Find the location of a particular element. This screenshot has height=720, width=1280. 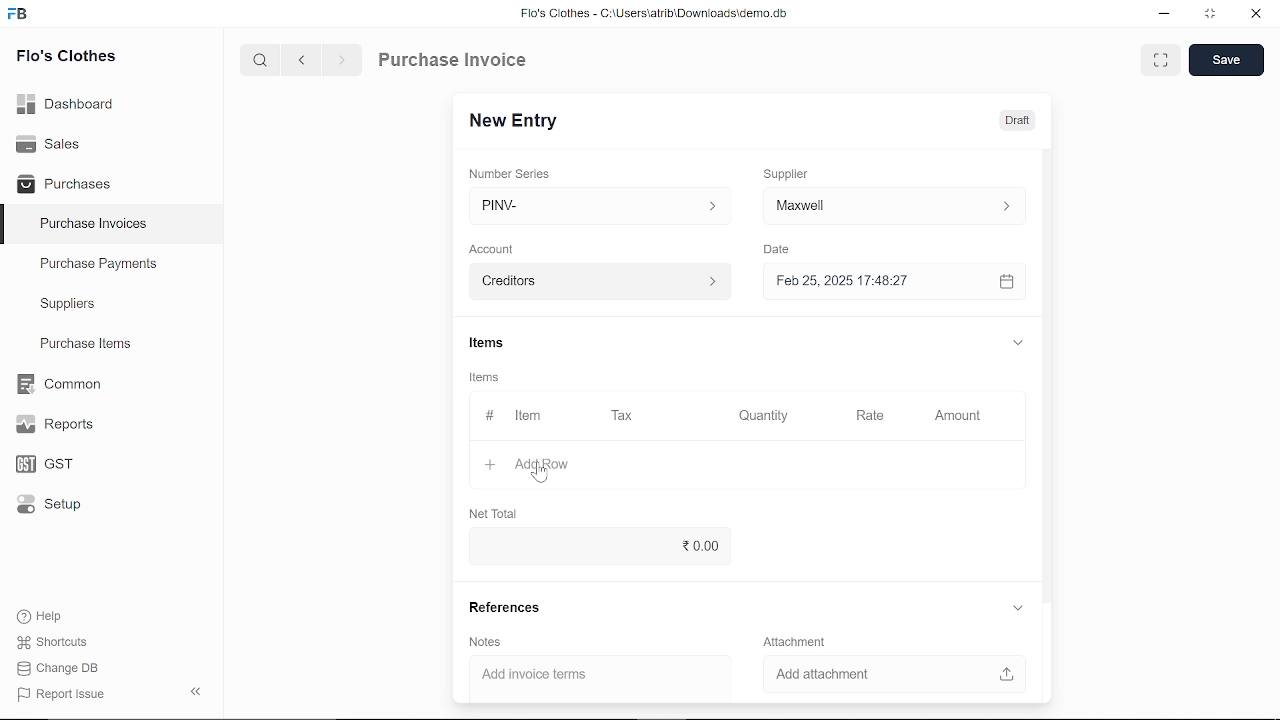

close is located at coordinates (1254, 16).